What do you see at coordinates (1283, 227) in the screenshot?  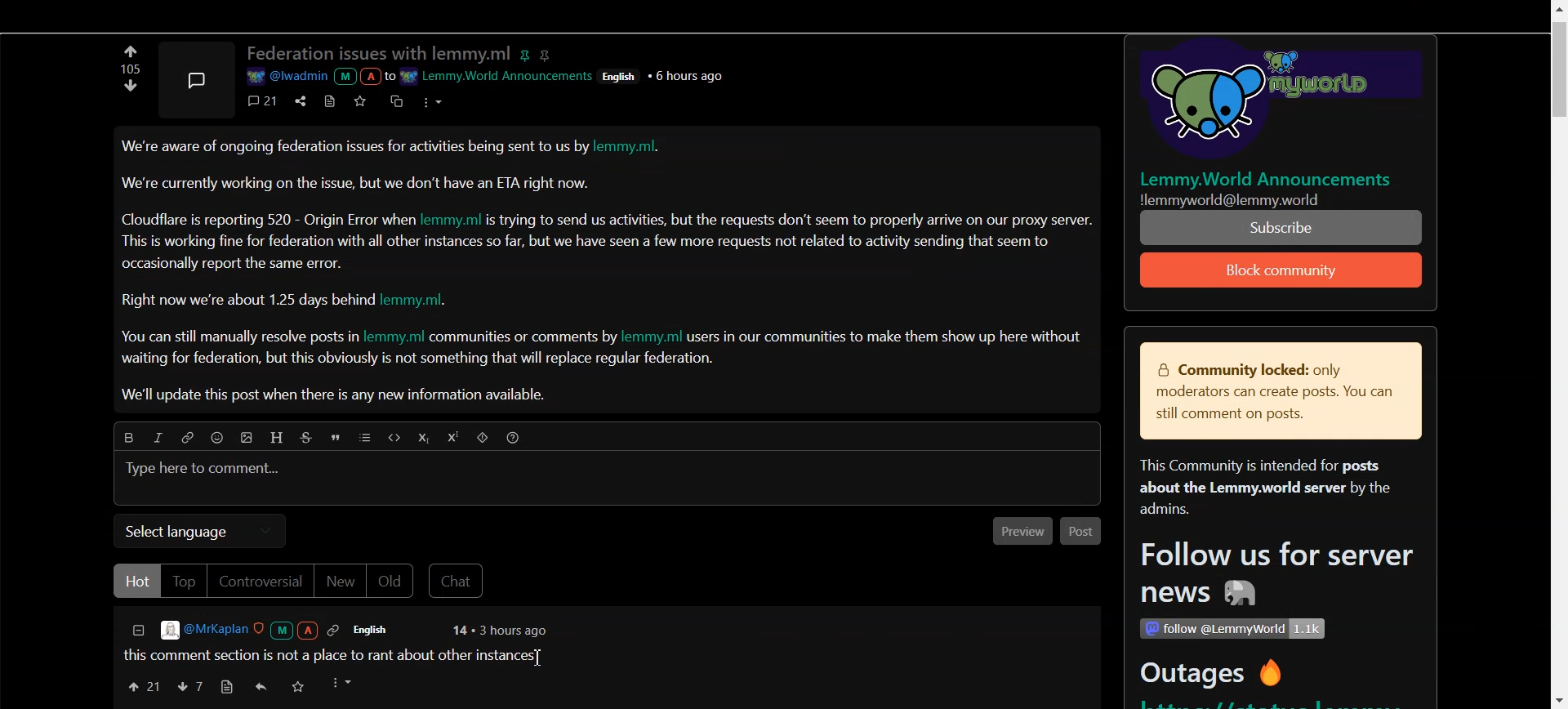 I see `properly arrive on our proxy server.
PE TEI SON TE WT` at bounding box center [1283, 227].